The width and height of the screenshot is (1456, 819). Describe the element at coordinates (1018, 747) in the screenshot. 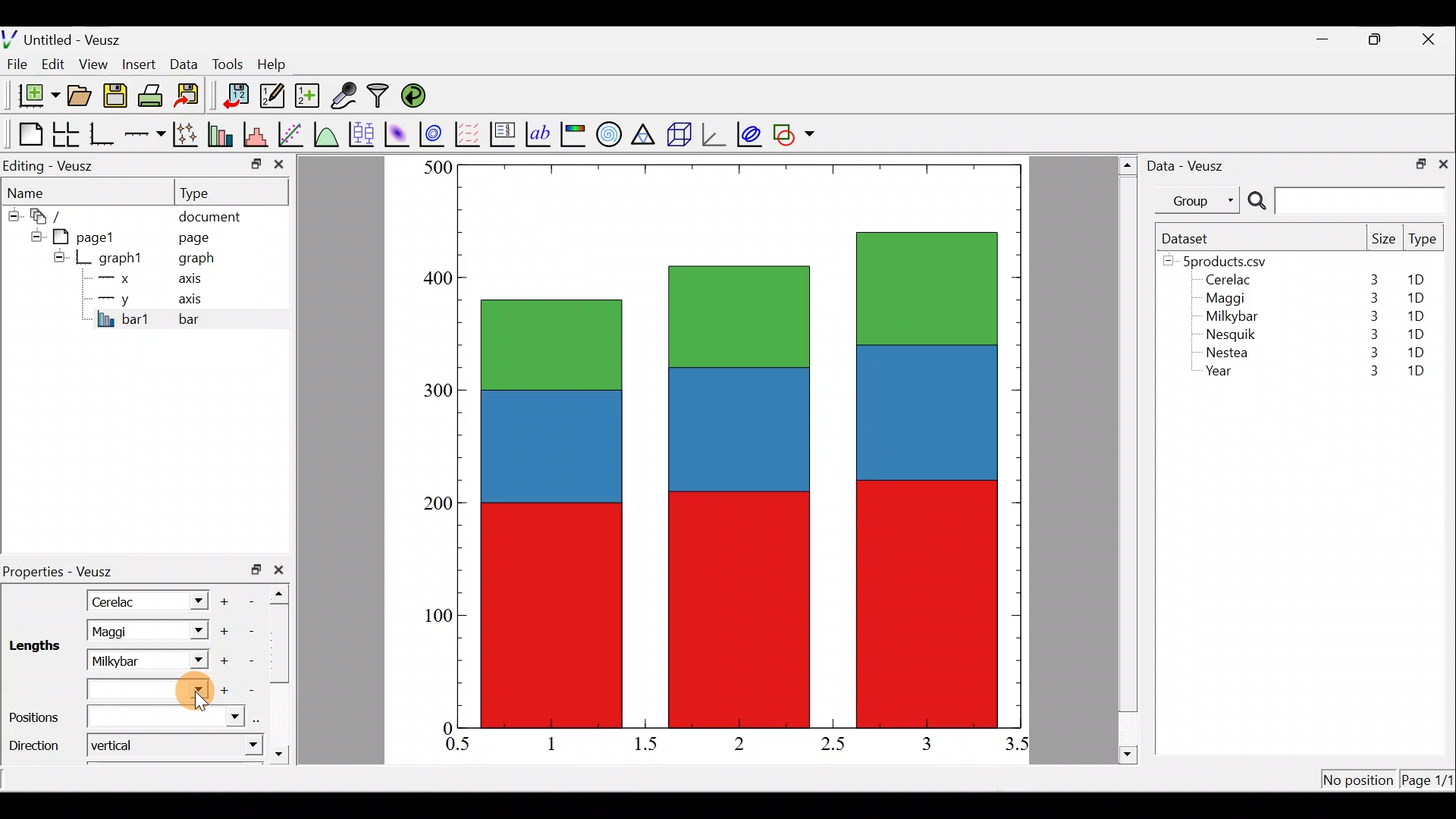

I see `3.5` at that location.